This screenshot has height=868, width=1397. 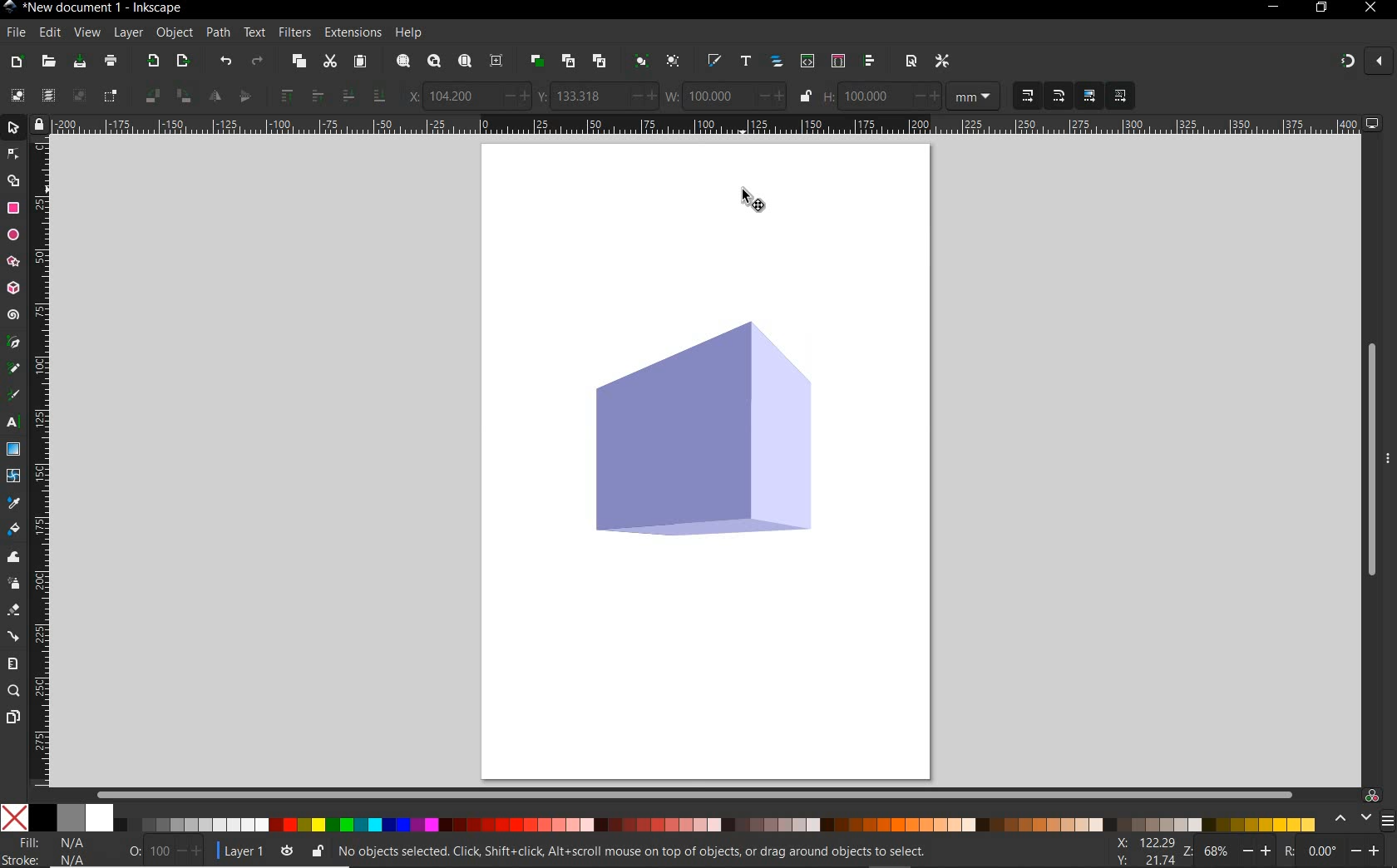 I want to click on increase/decrease, so click(x=190, y=851).